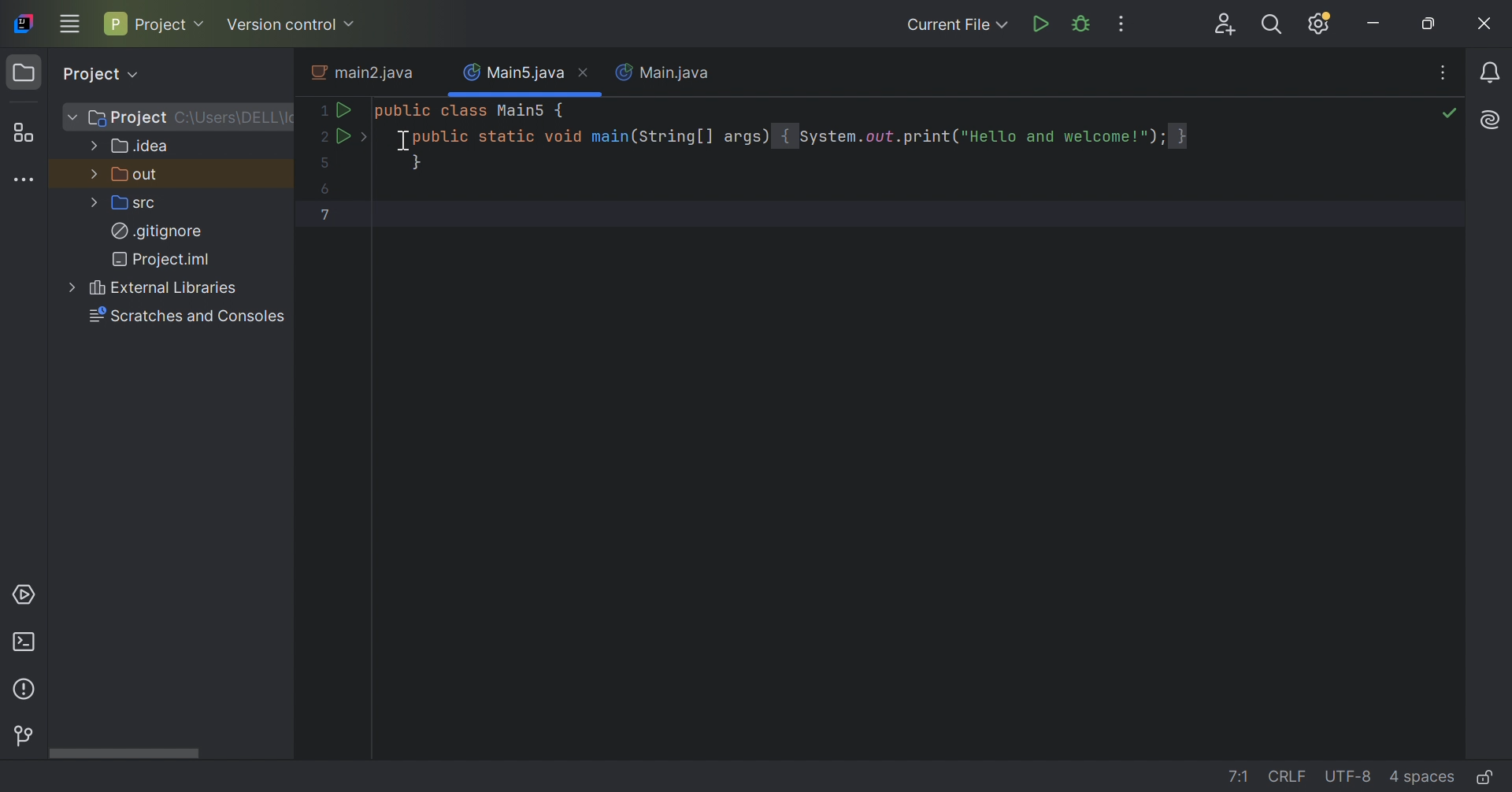 The height and width of the screenshot is (792, 1512). I want to click on 7, so click(328, 219).